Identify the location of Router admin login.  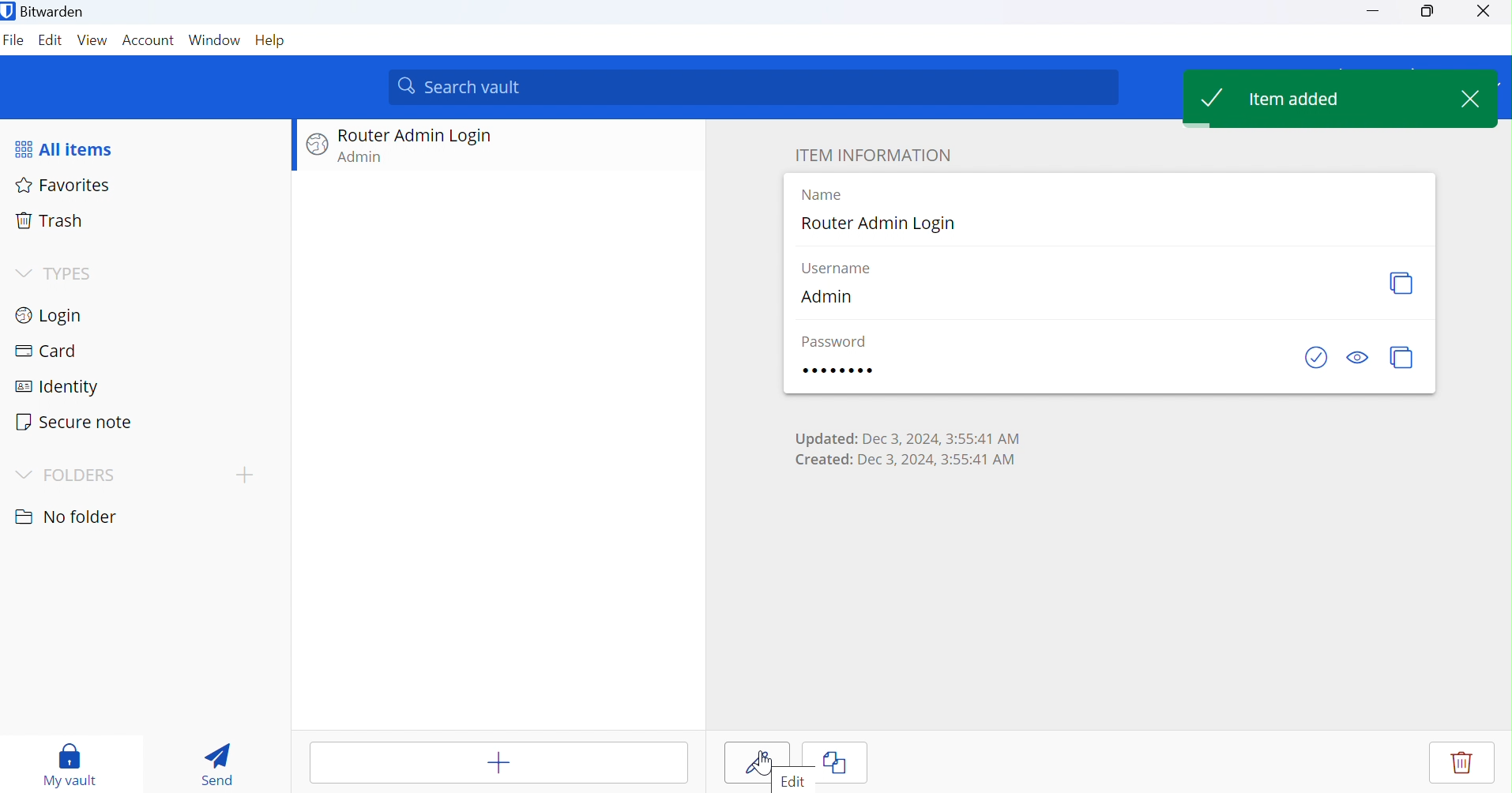
(880, 223).